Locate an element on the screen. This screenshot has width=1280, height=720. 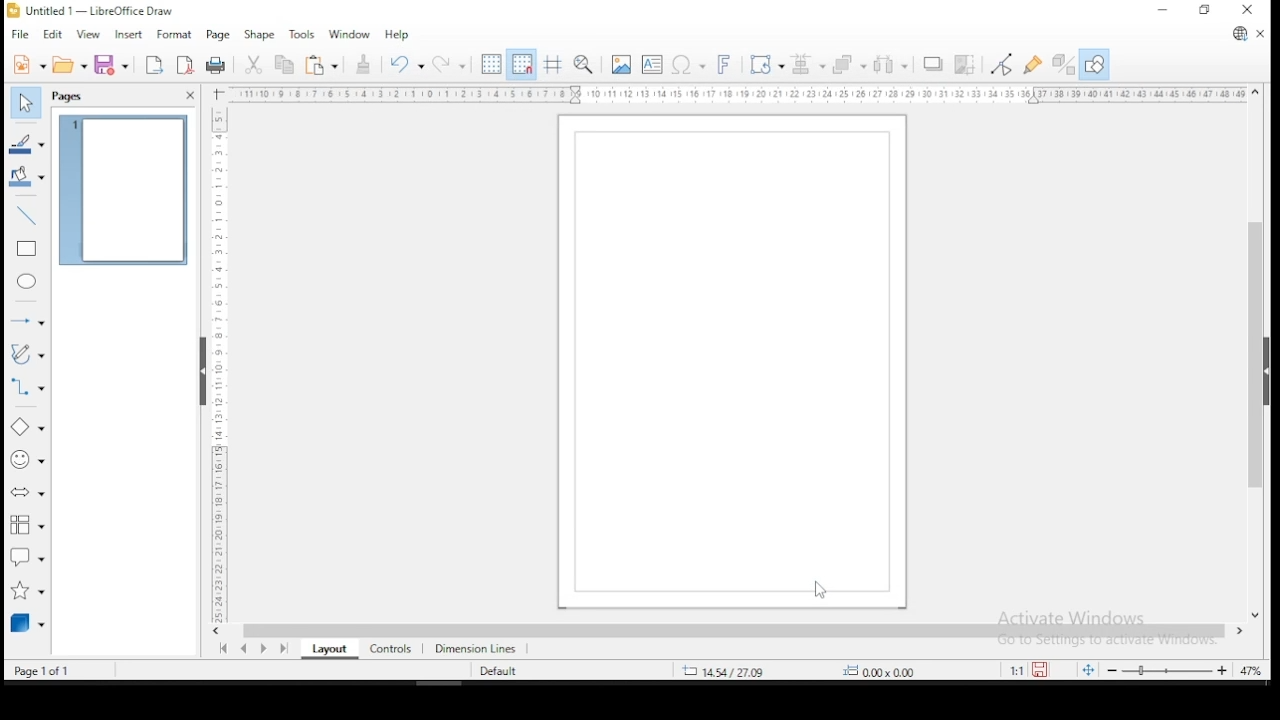
align objects is located at coordinates (806, 67).